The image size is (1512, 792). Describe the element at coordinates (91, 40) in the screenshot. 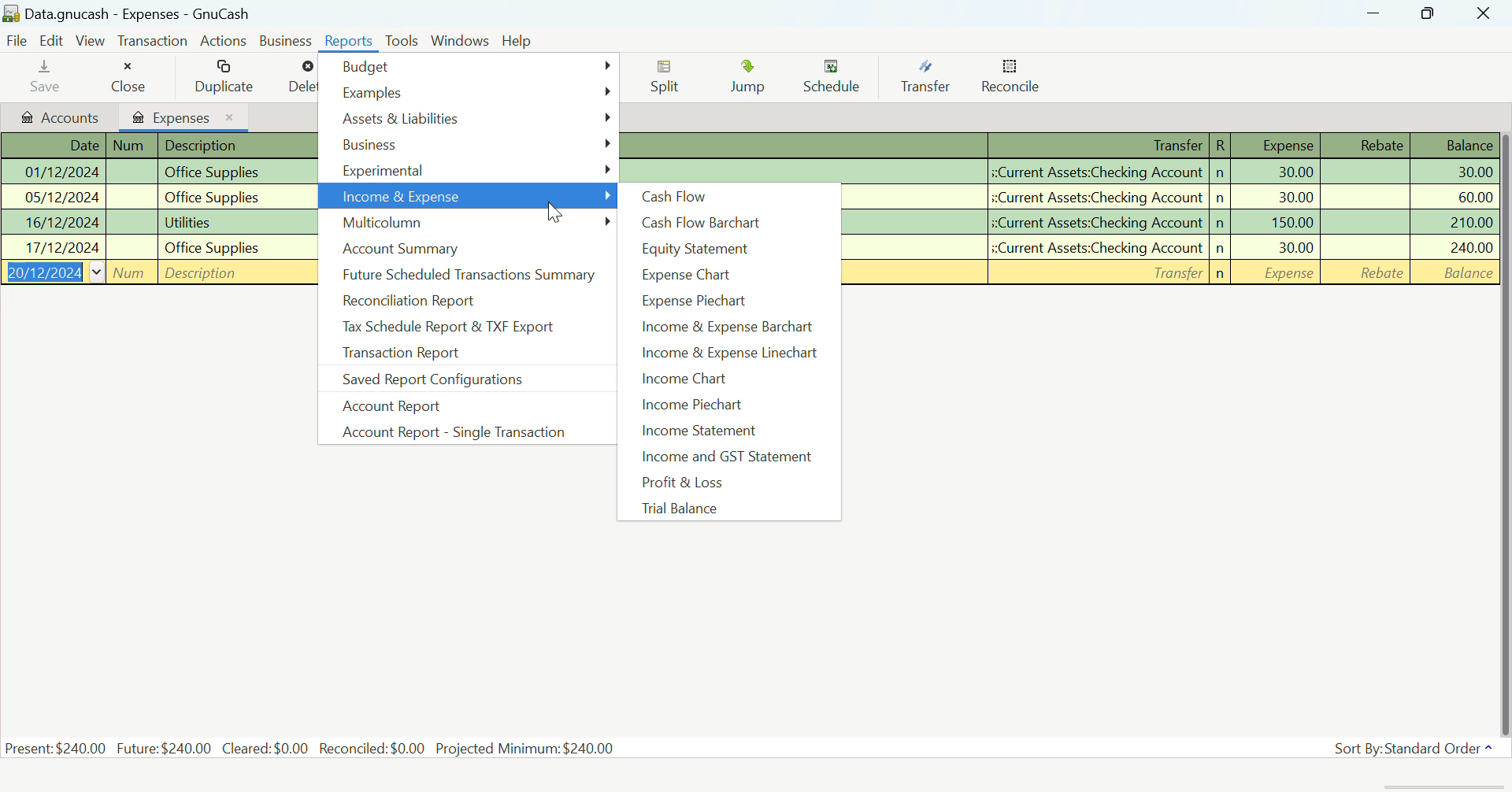

I see `View` at that location.